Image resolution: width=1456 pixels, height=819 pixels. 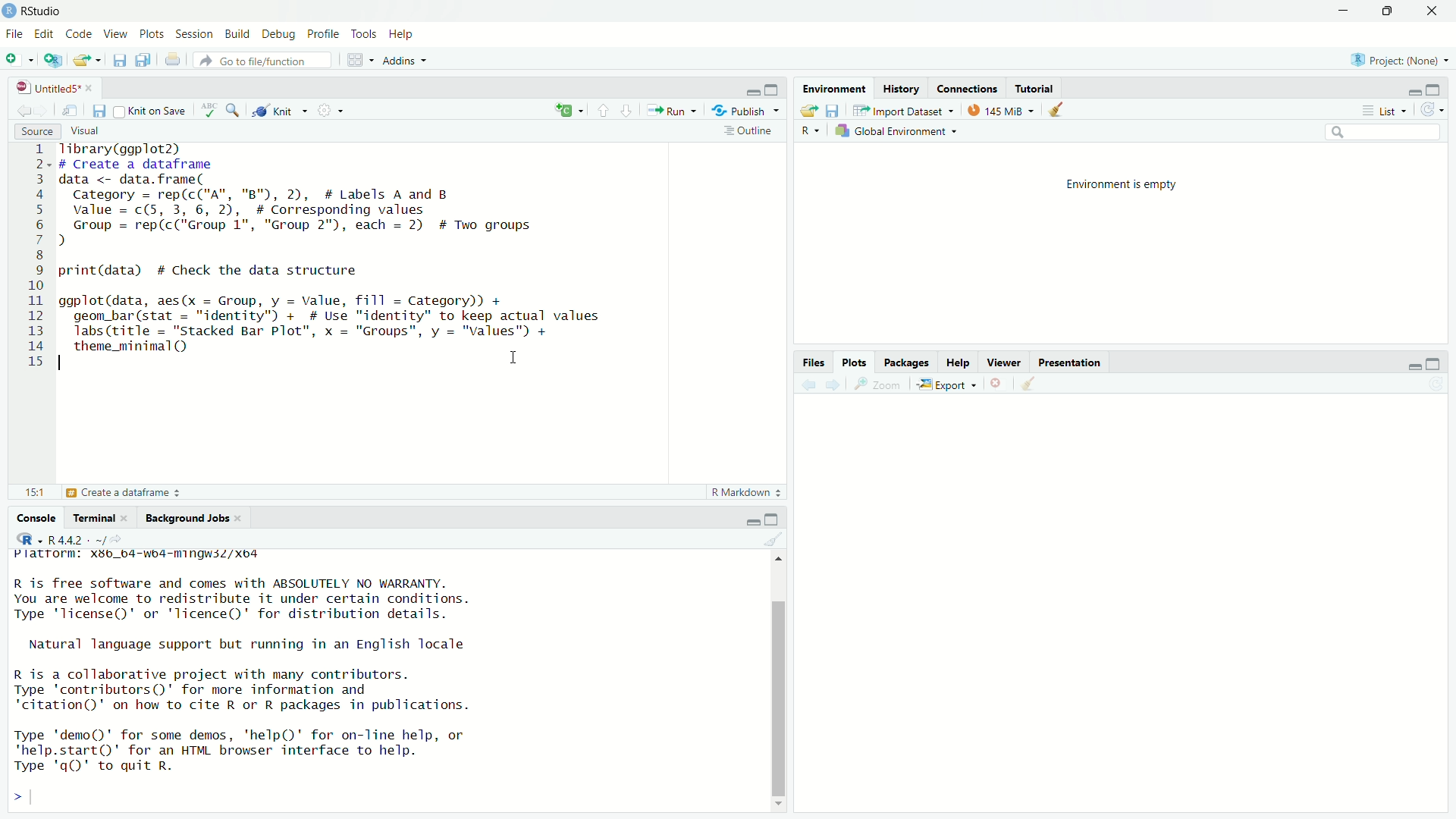 I want to click on Connections, so click(x=971, y=87).